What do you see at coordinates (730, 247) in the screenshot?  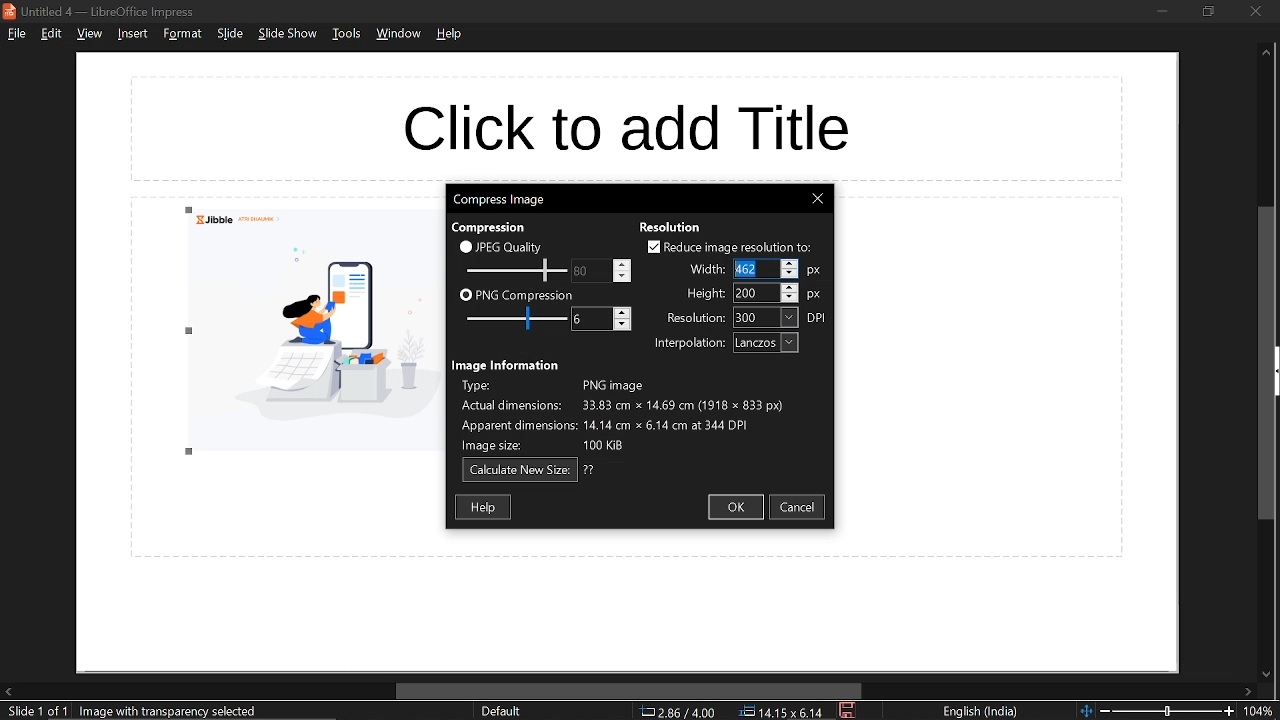 I see `reduce image resolution to` at bounding box center [730, 247].